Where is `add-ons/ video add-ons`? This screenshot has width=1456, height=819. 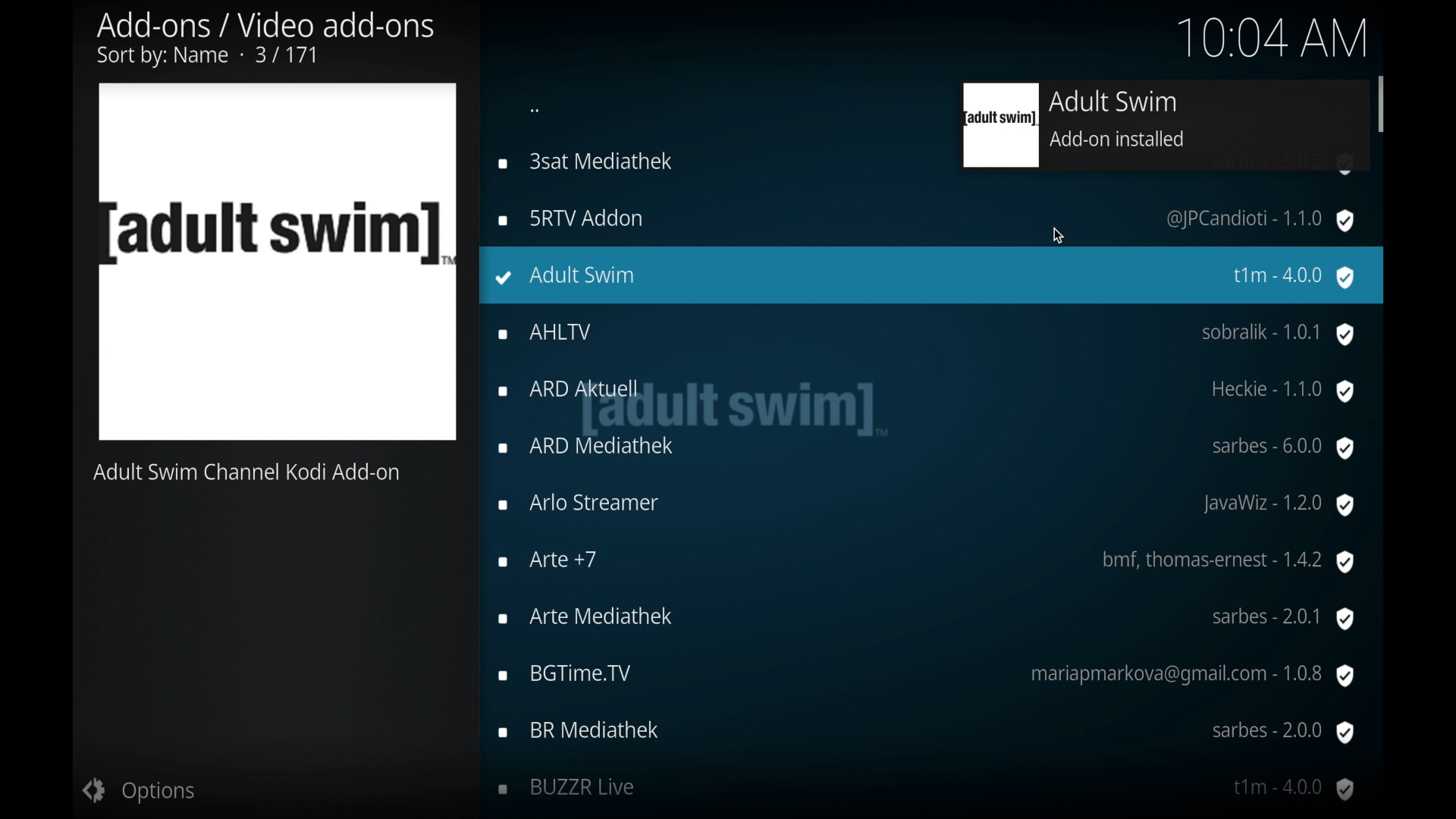
add-ons/ video add-ons is located at coordinates (265, 39).